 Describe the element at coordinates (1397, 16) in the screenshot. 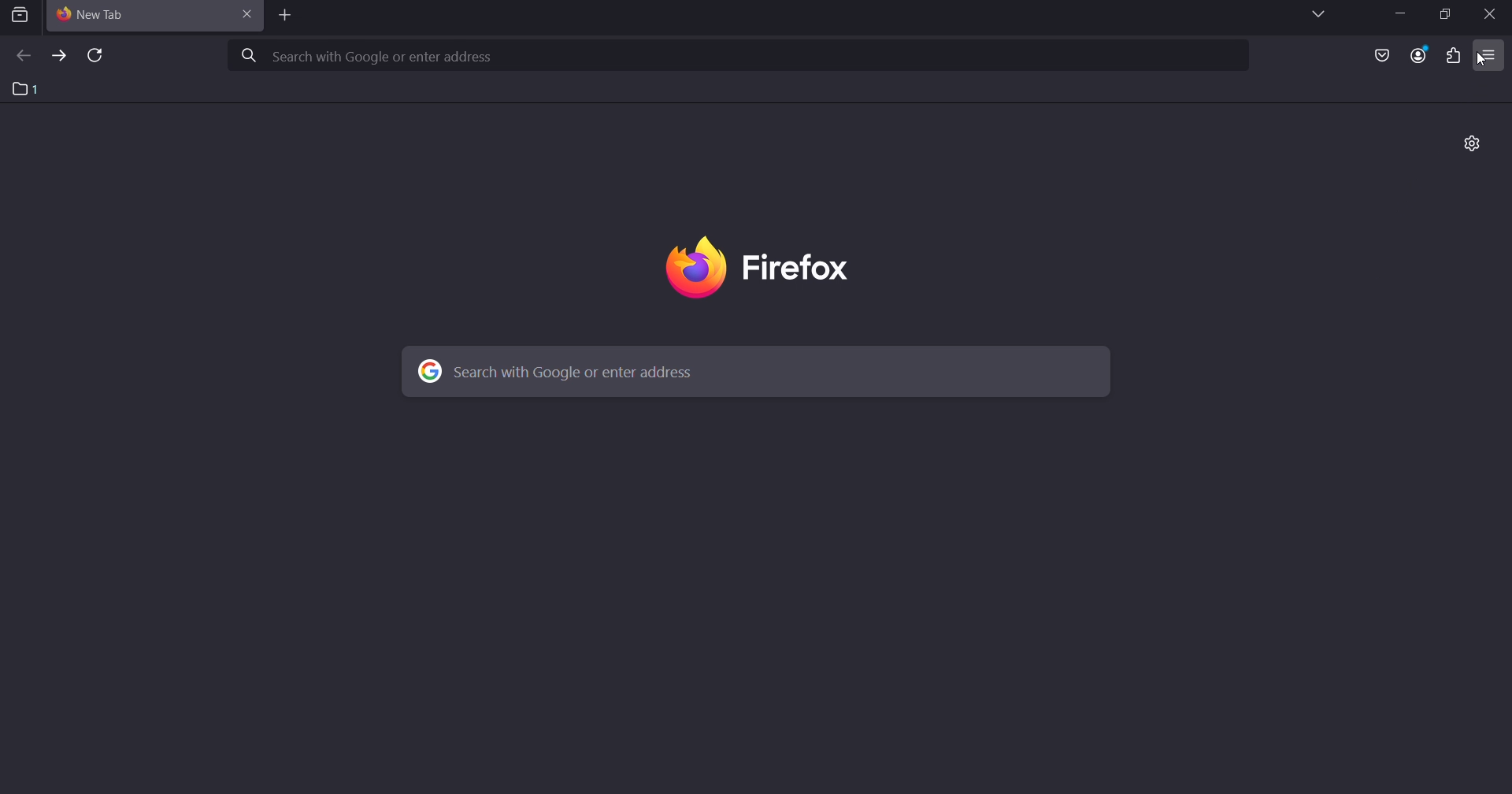

I see `minimize` at that location.